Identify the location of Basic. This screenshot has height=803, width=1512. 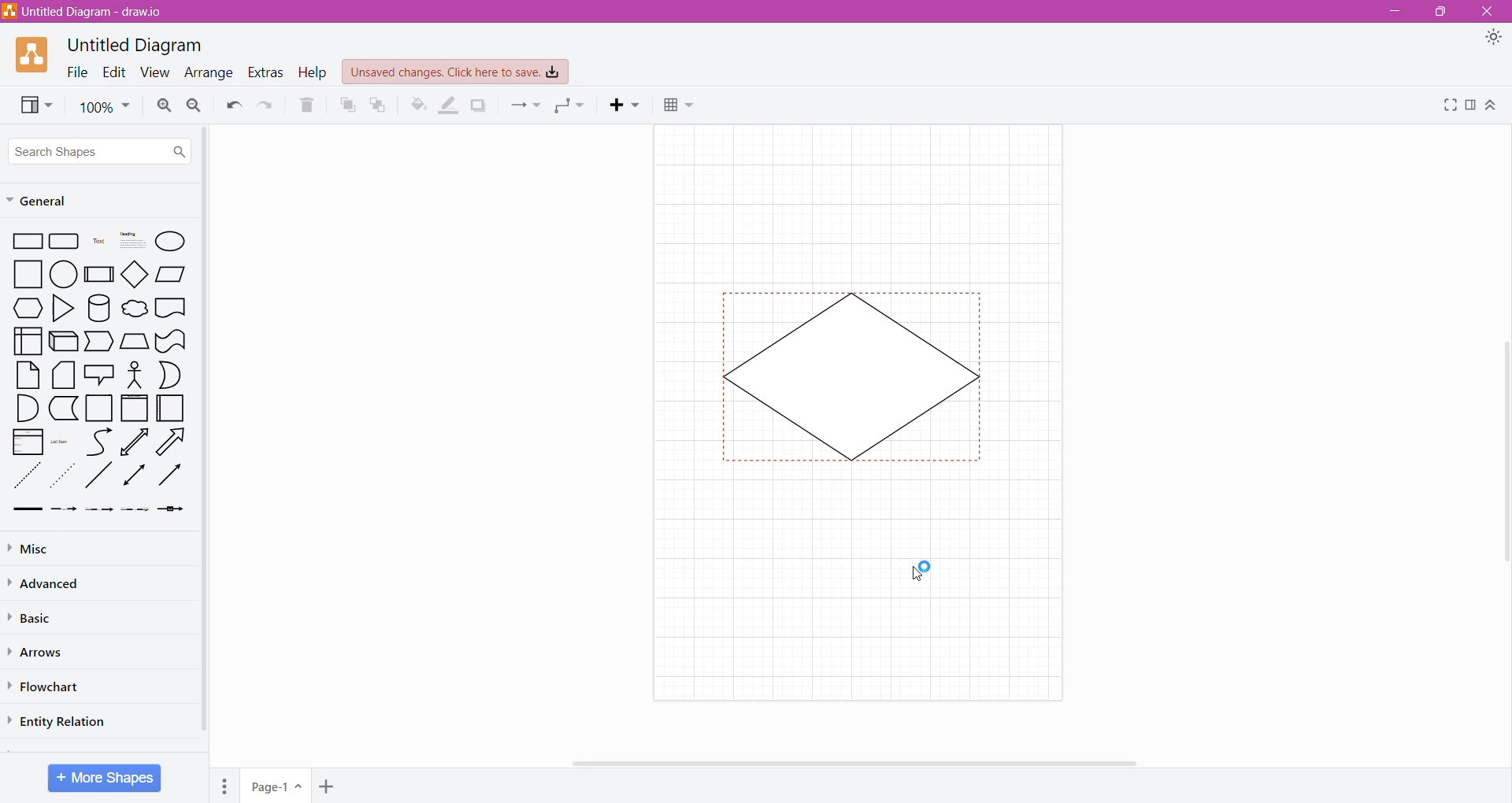
(39, 616).